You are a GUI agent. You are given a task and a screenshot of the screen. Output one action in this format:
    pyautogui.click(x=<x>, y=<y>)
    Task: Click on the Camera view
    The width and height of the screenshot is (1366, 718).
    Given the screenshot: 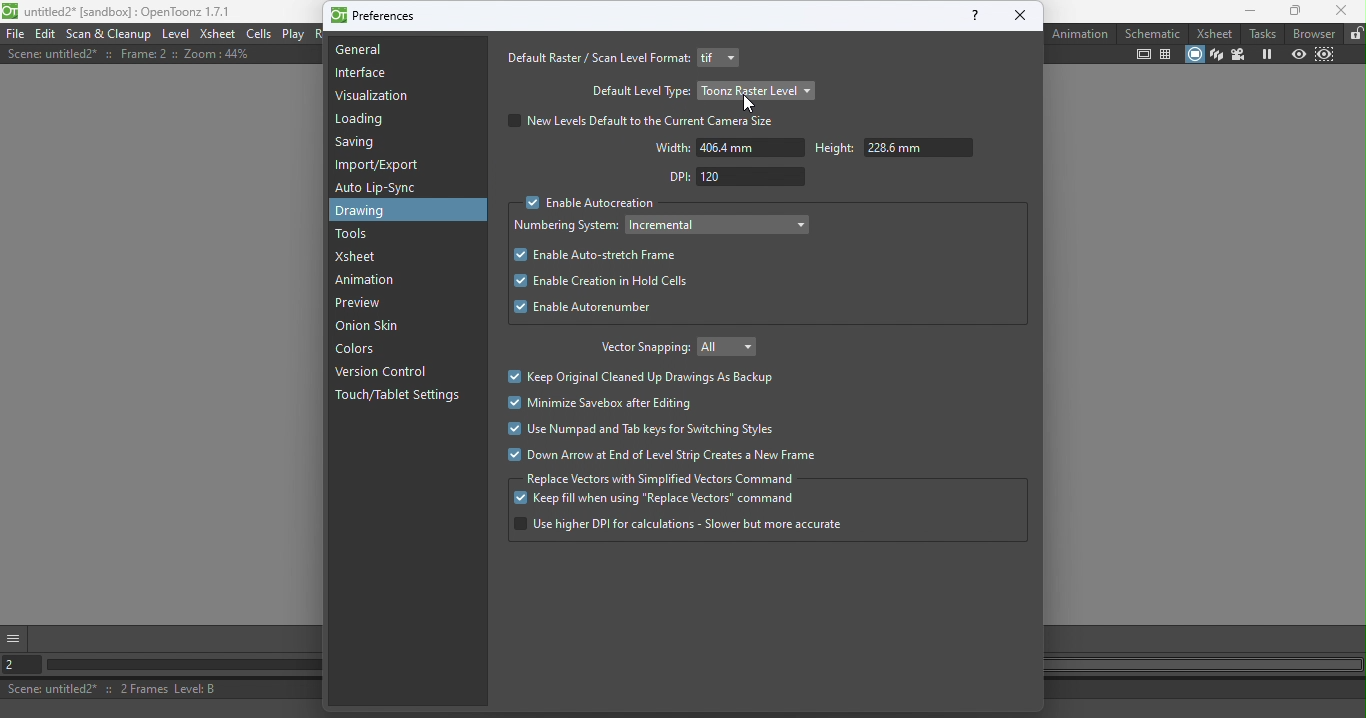 What is the action you would take?
    pyautogui.click(x=1237, y=54)
    